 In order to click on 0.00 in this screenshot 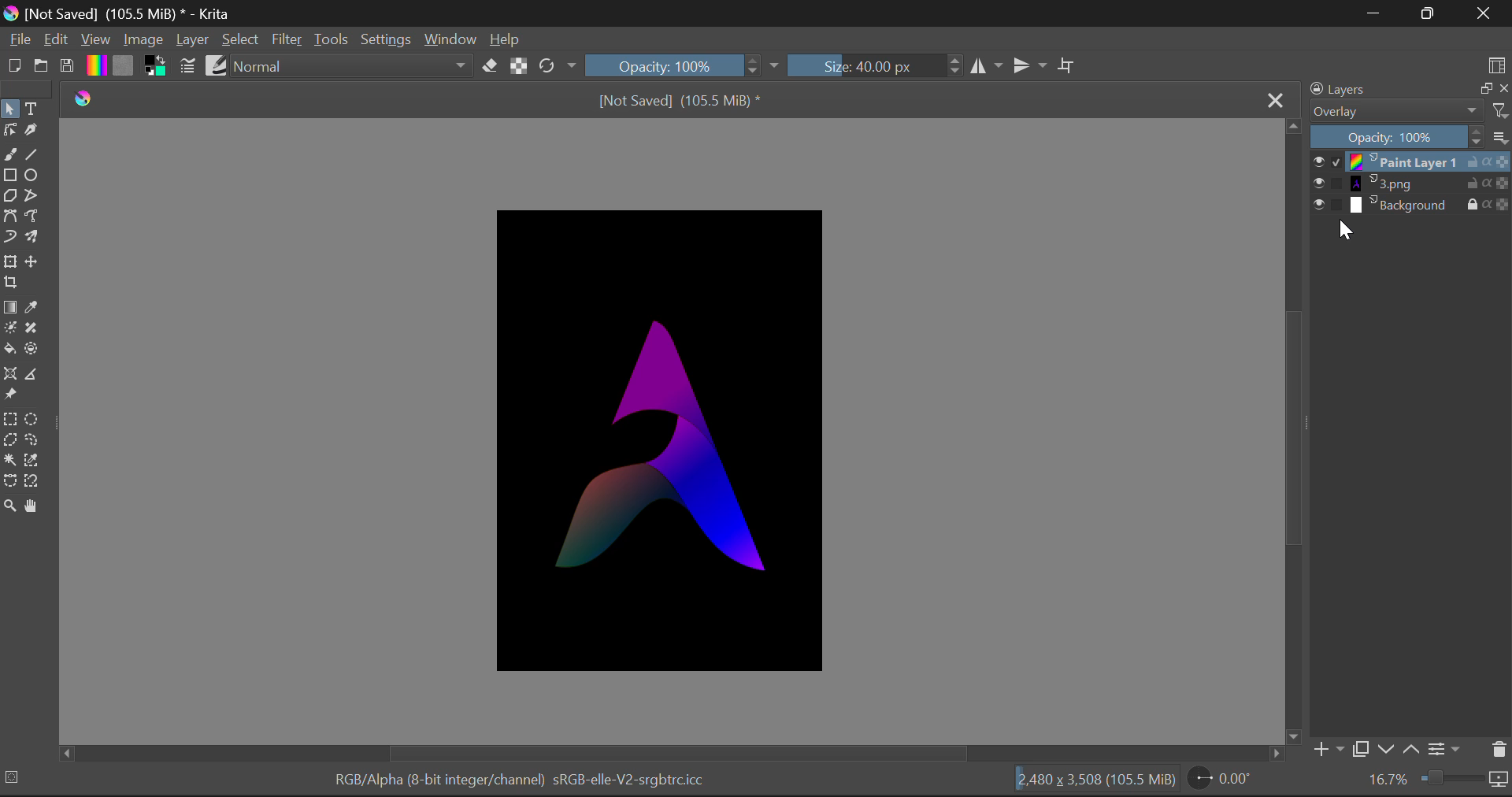, I will do `click(1233, 780)`.